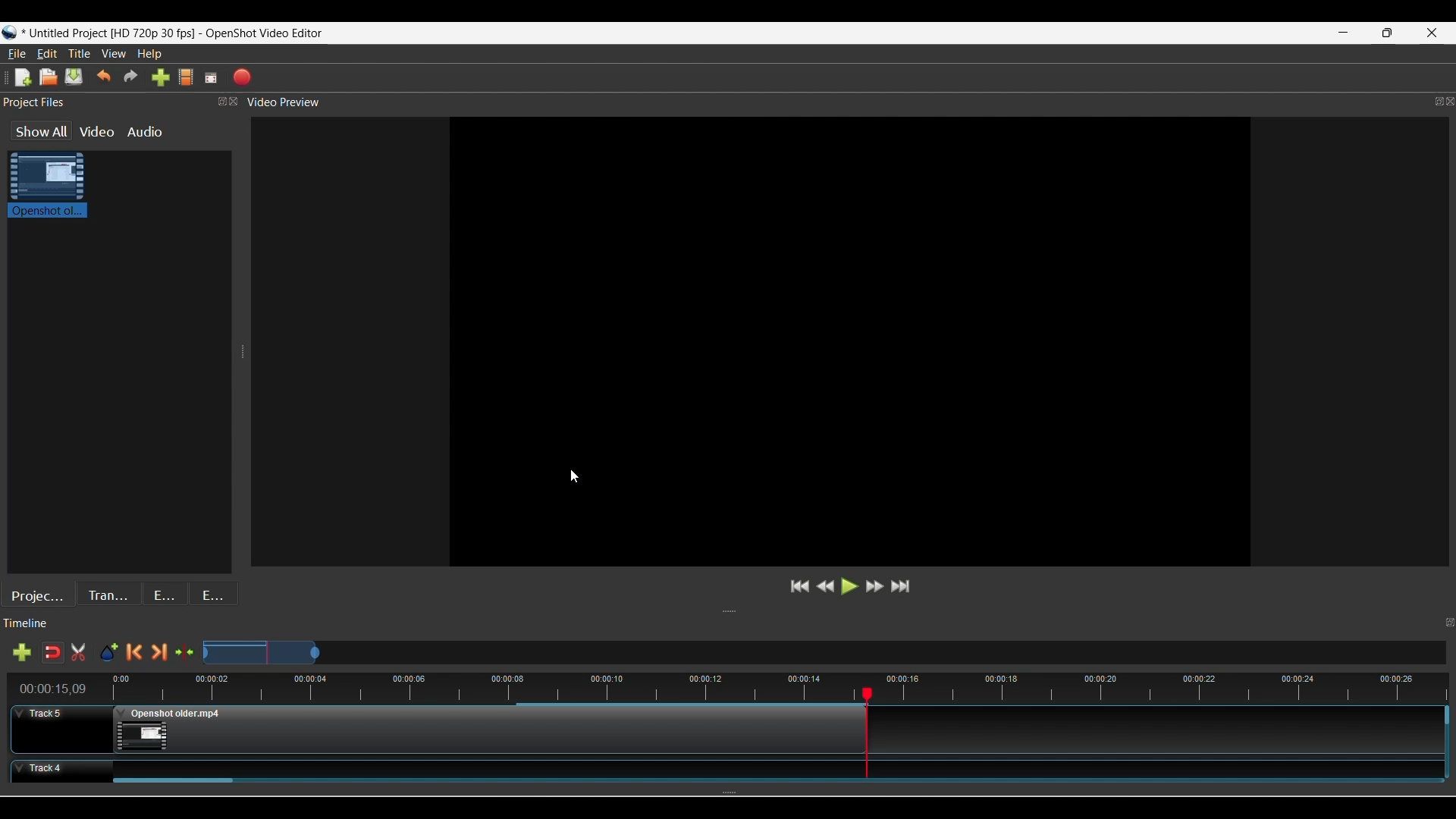 This screenshot has width=1456, height=819. I want to click on time stamps for all frames, so click(1163, 687).